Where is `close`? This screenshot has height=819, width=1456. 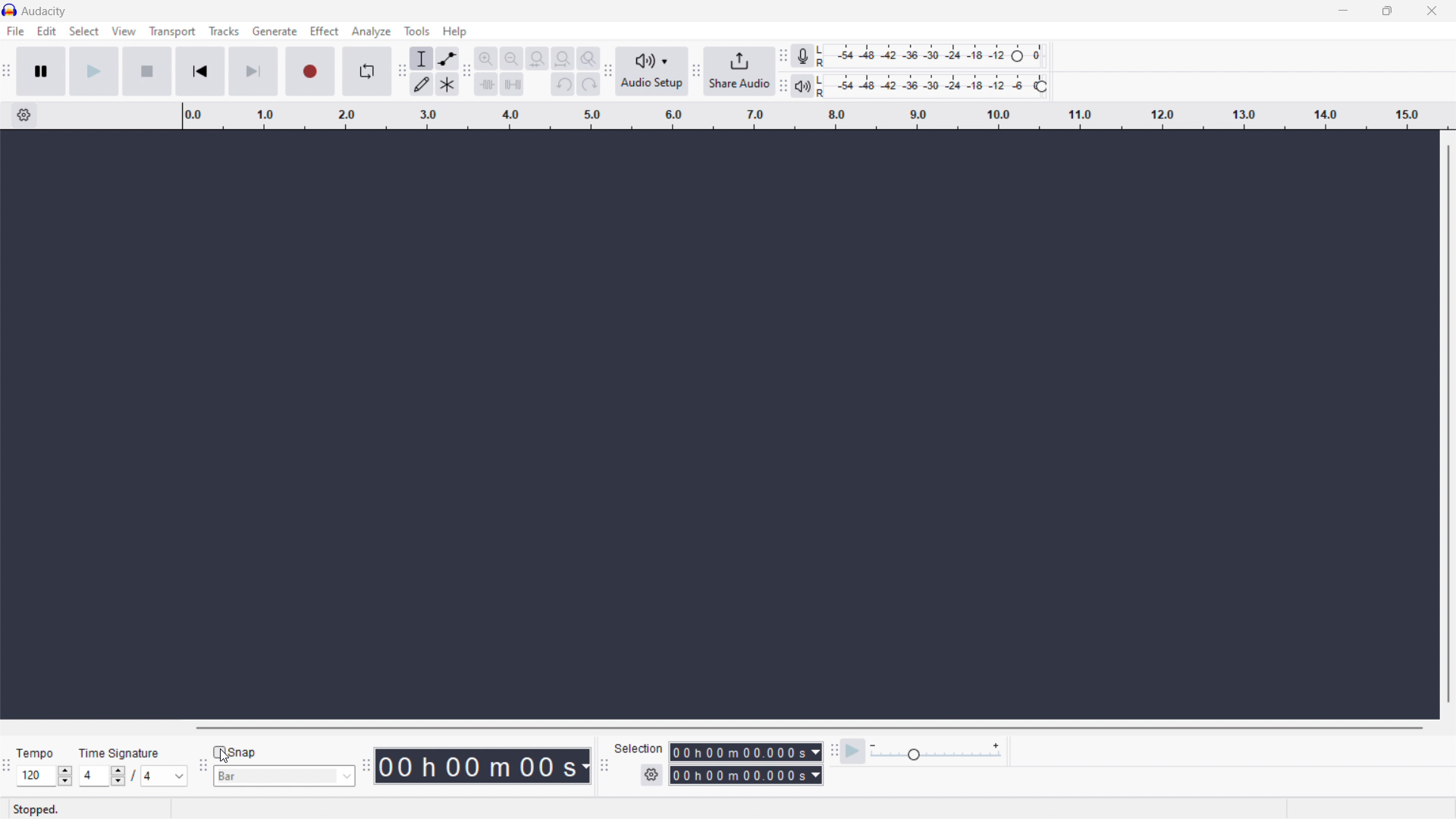
close is located at coordinates (1430, 11).